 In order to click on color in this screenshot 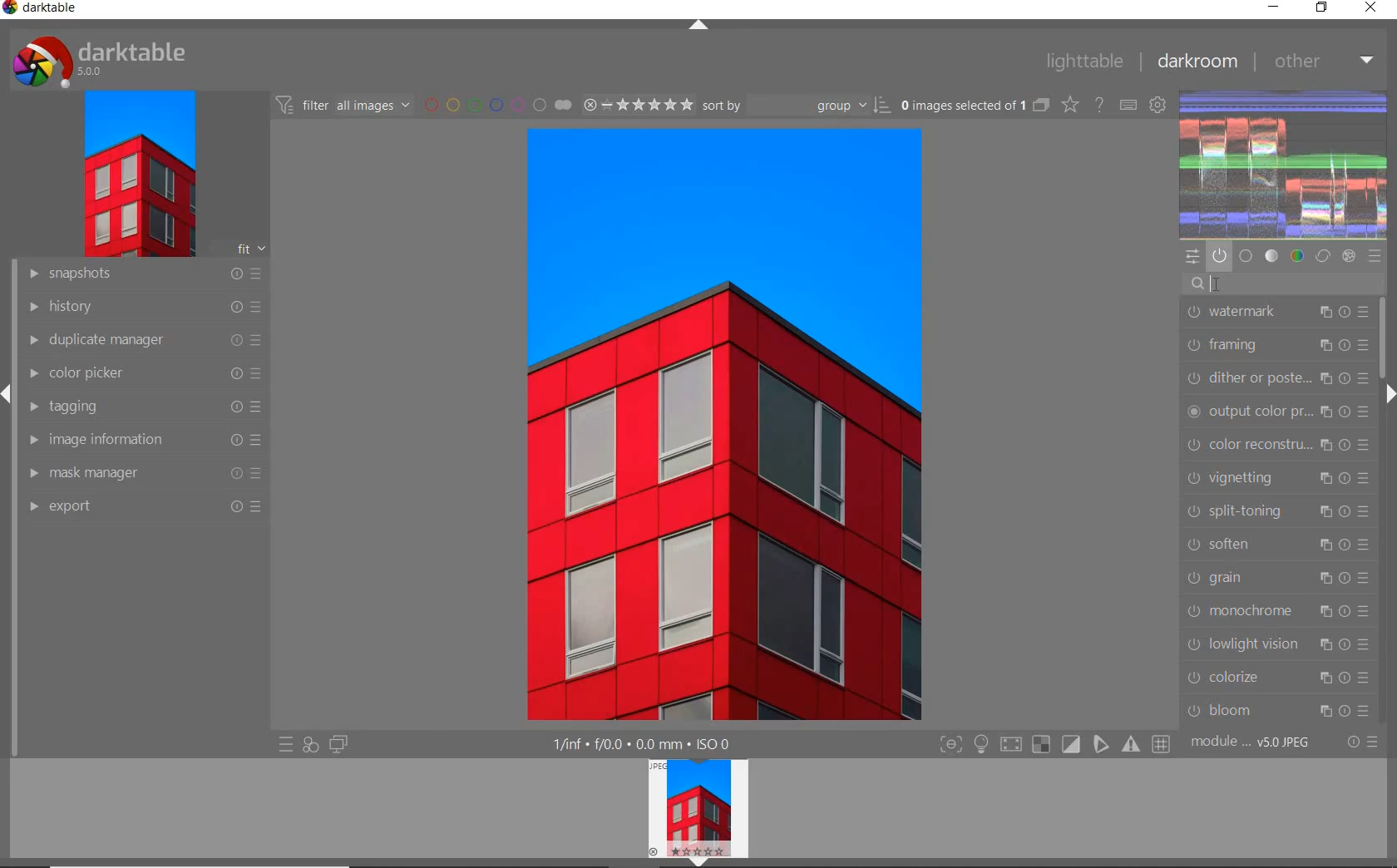, I will do `click(1296, 256)`.